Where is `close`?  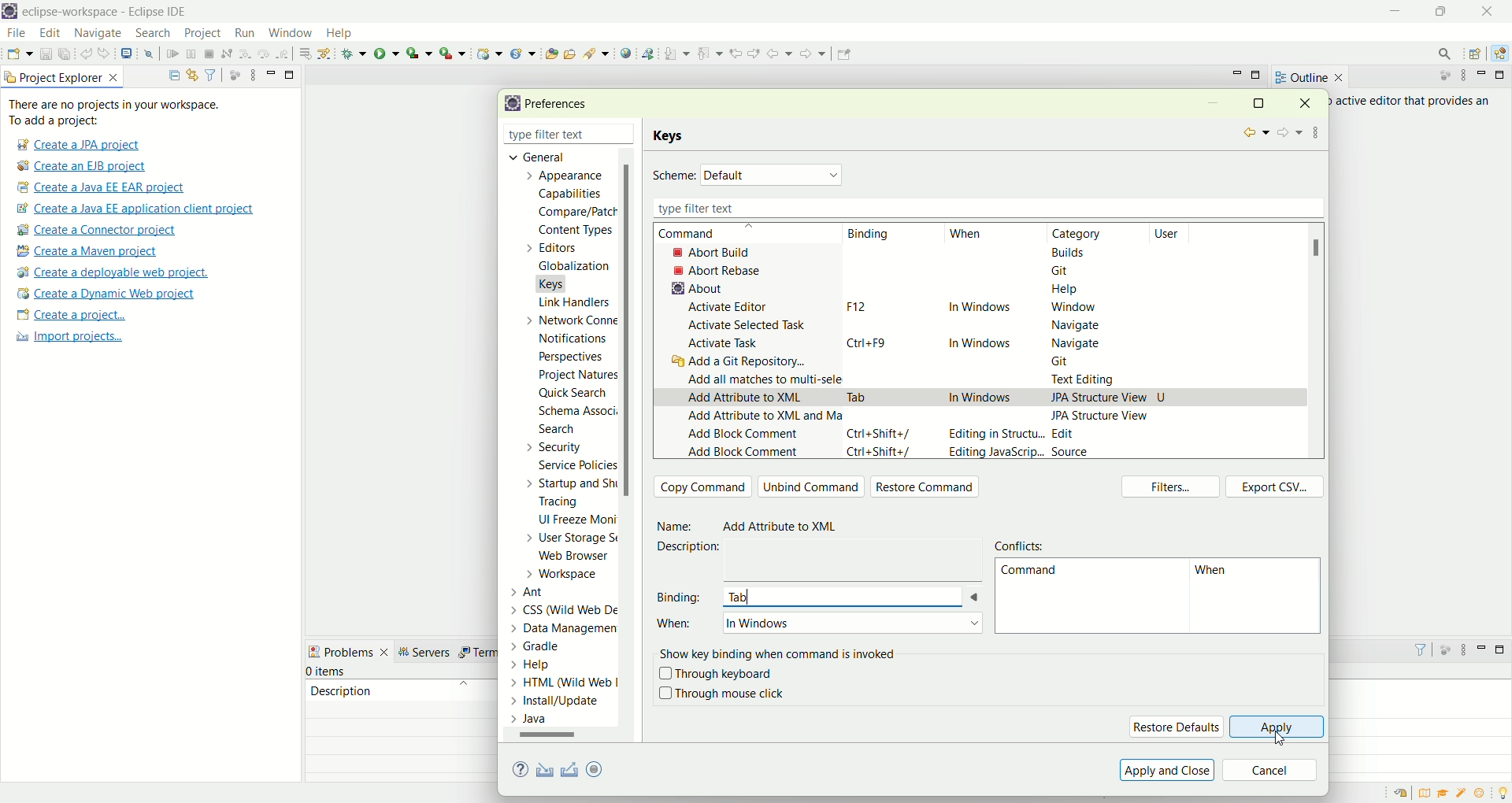
close is located at coordinates (629, 135).